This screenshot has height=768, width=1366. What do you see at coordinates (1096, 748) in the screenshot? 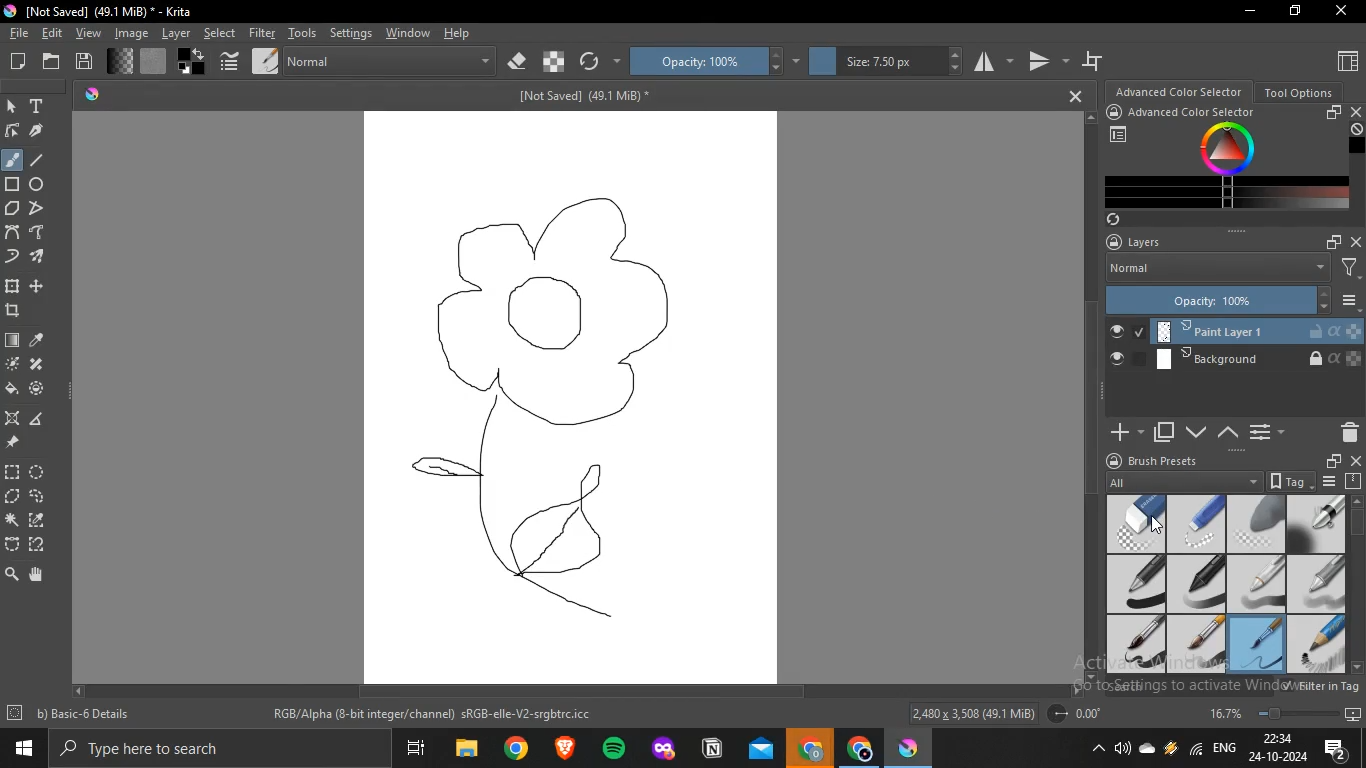
I see `Hidebar` at bounding box center [1096, 748].